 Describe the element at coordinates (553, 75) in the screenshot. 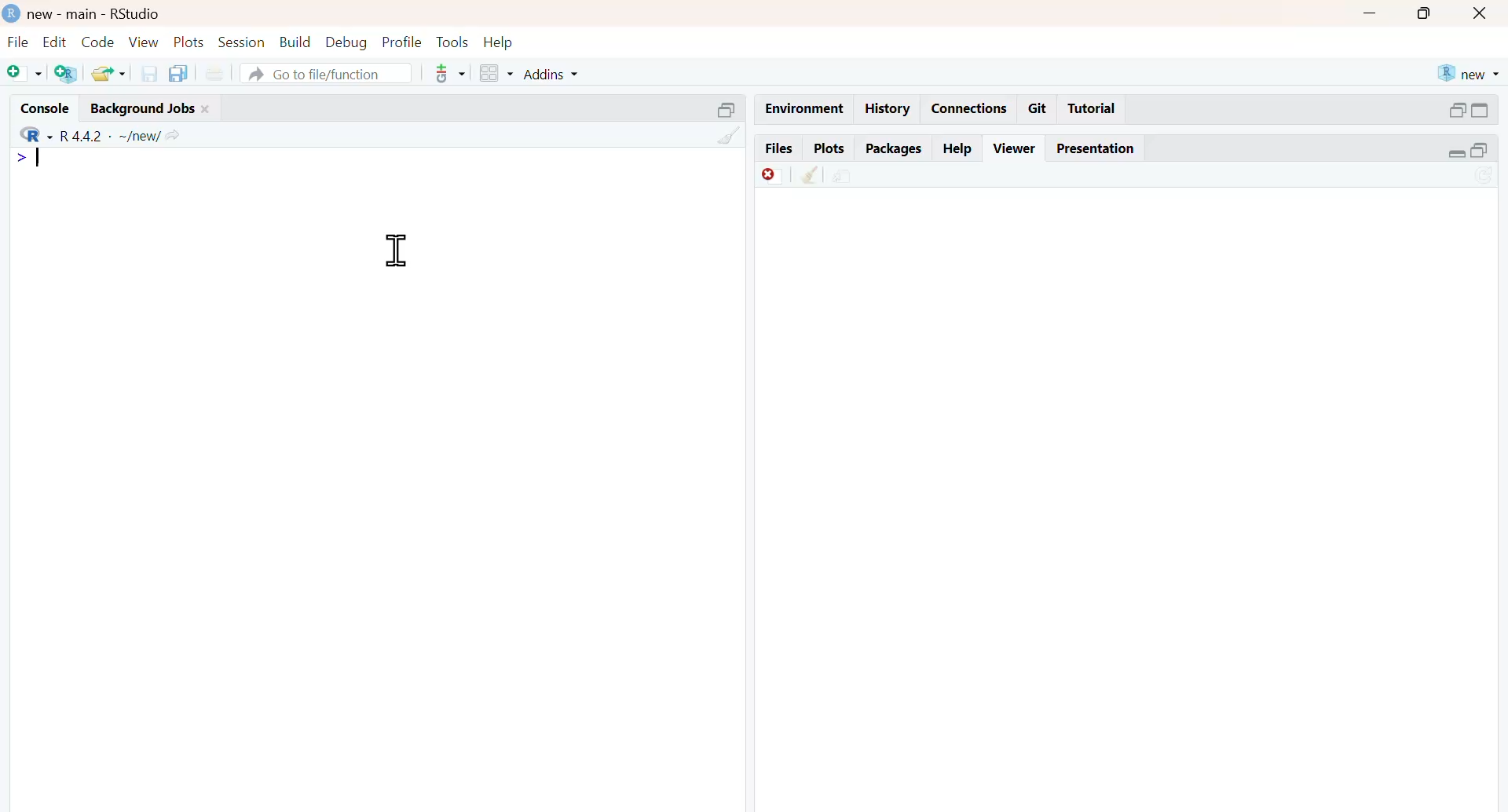

I see `addins` at that location.